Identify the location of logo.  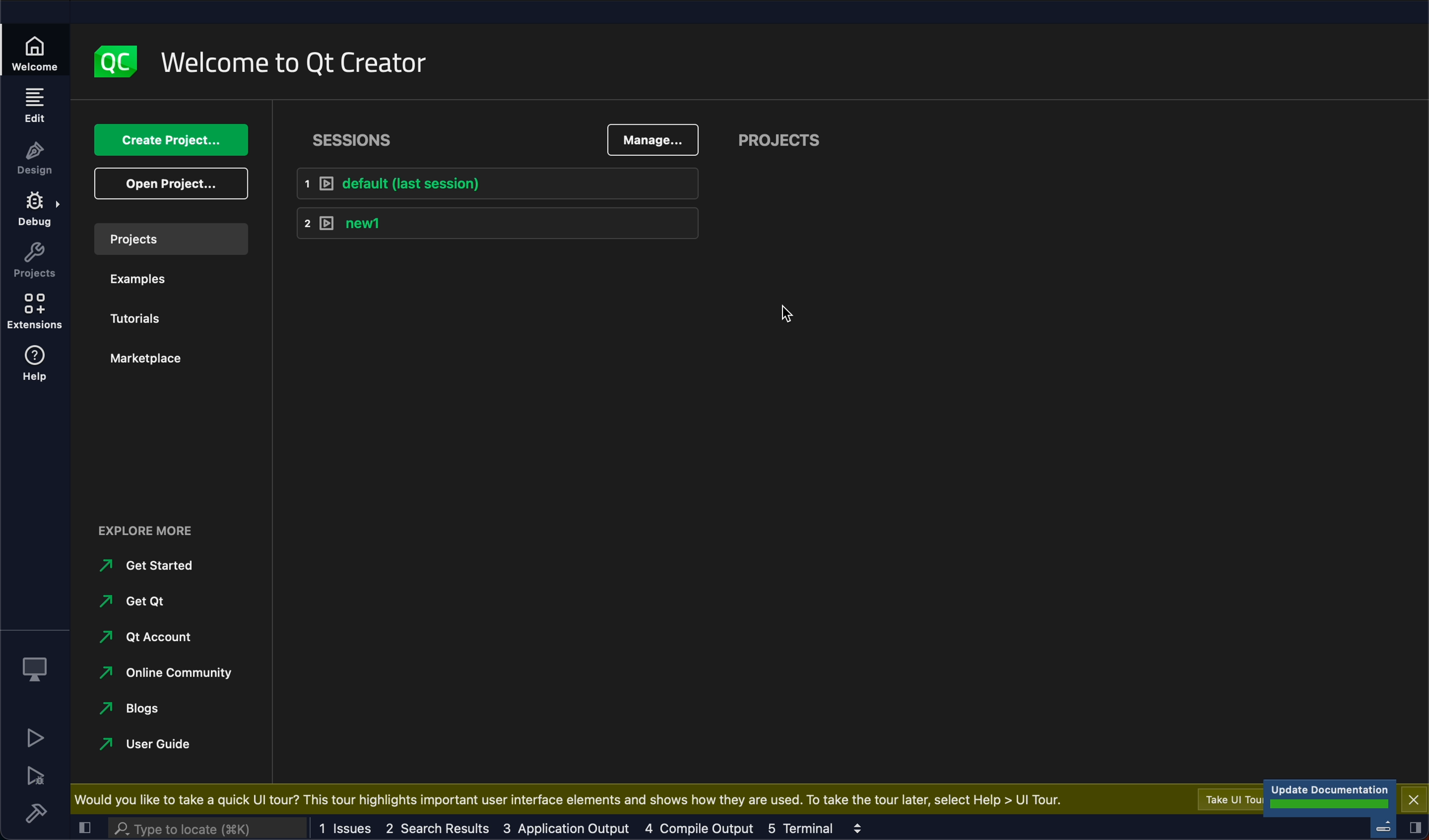
(113, 59).